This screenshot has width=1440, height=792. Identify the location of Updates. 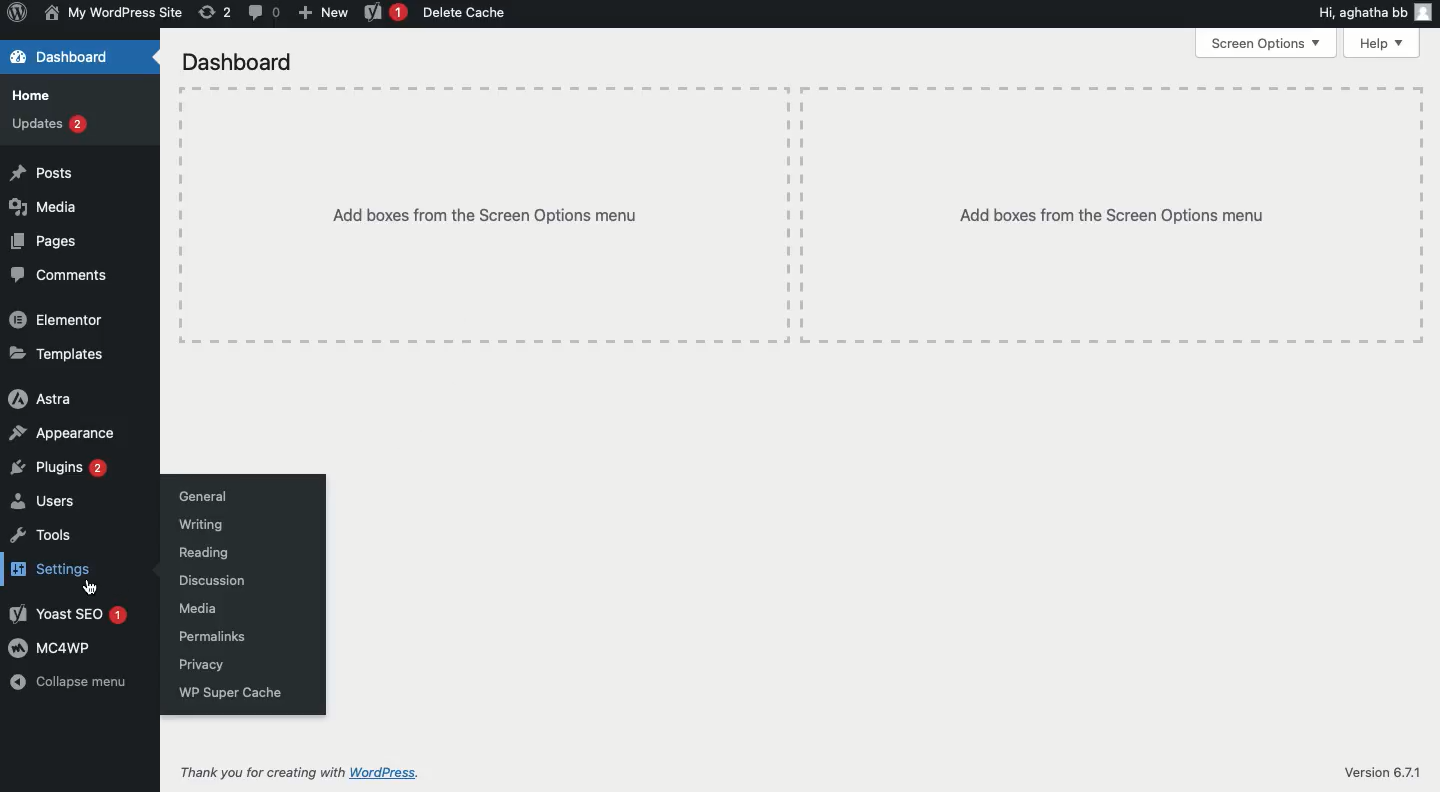
(49, 124).